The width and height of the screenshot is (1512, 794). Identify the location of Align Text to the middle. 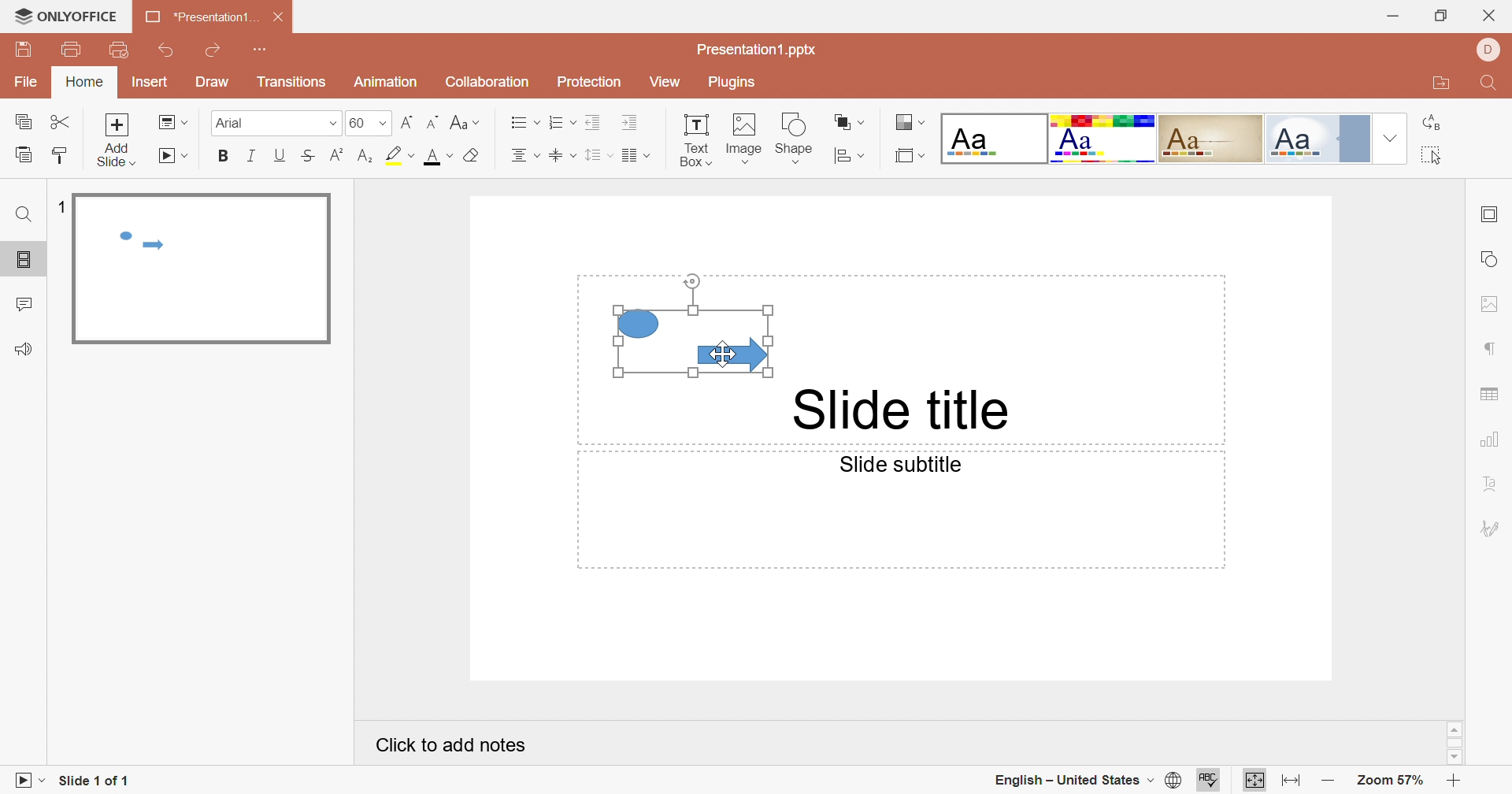
(558, 157).